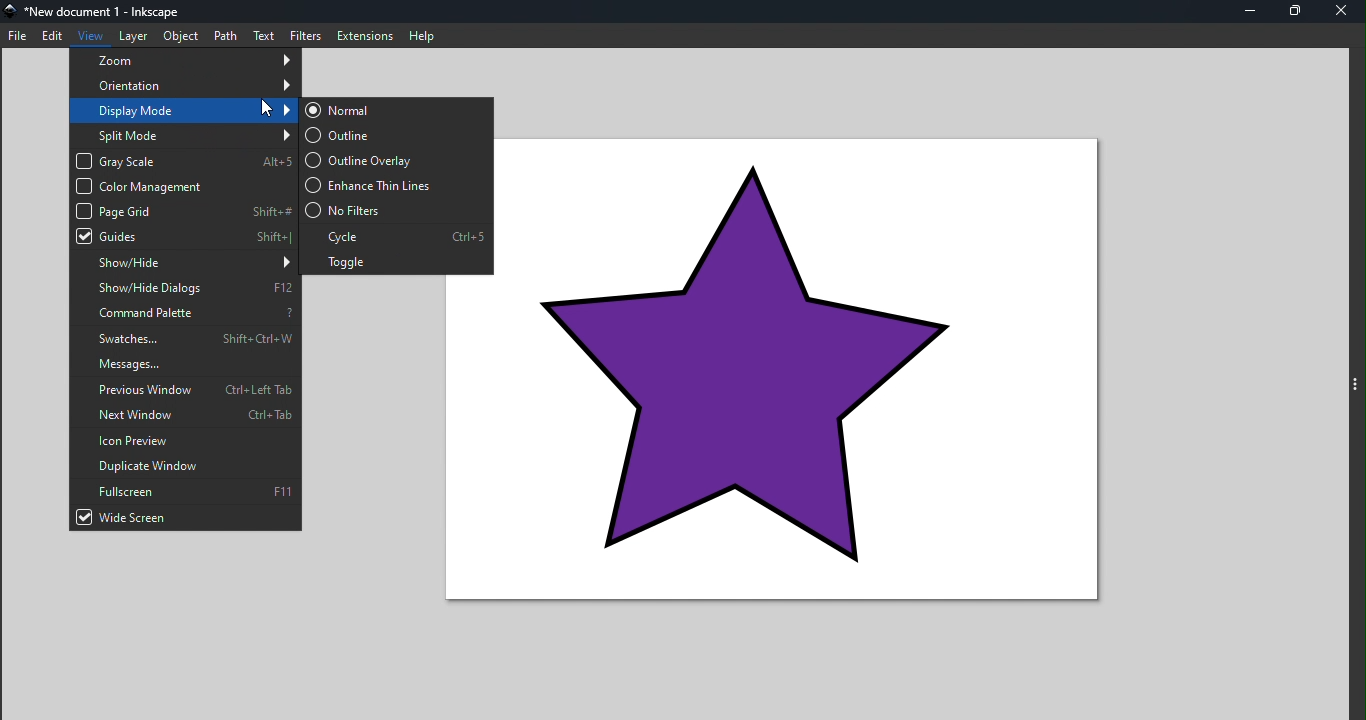 The height and width of the screenshot is (720, 1366). I want to click on Color management, so click(181, 185).